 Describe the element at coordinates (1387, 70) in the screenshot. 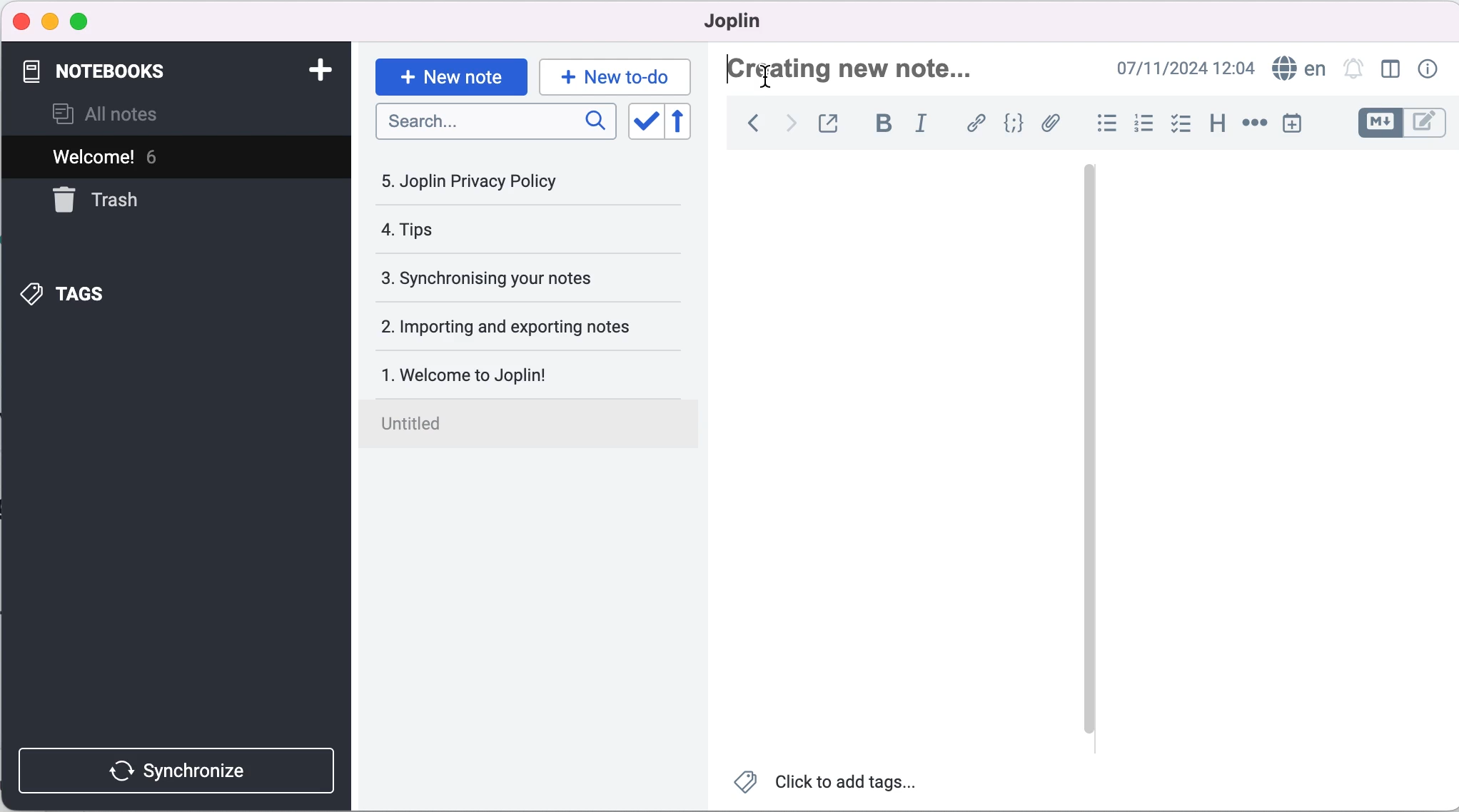

I see `toggle editor layout` at that location.